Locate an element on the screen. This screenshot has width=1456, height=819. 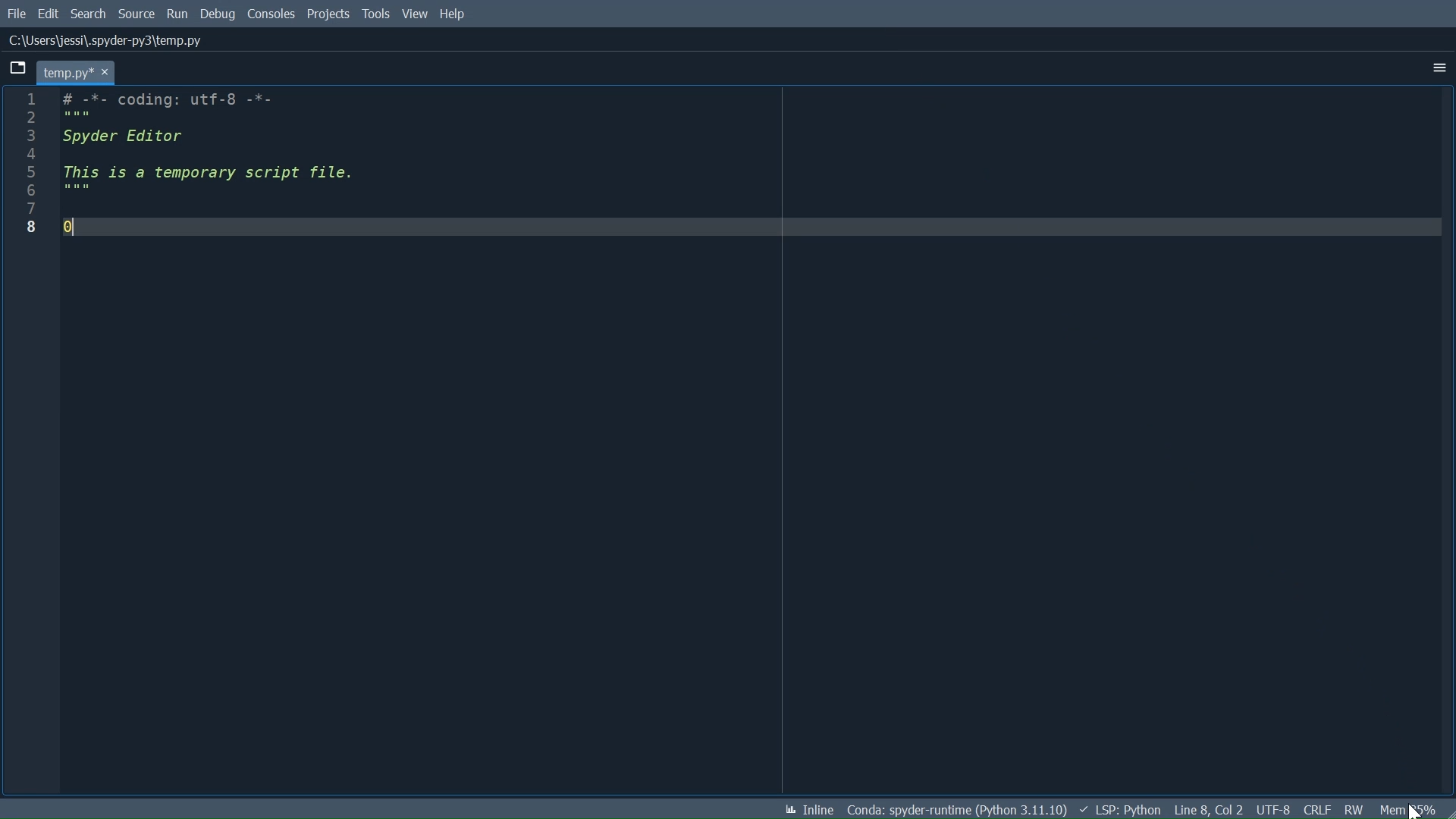
Help is located at coordinates (453, 13).